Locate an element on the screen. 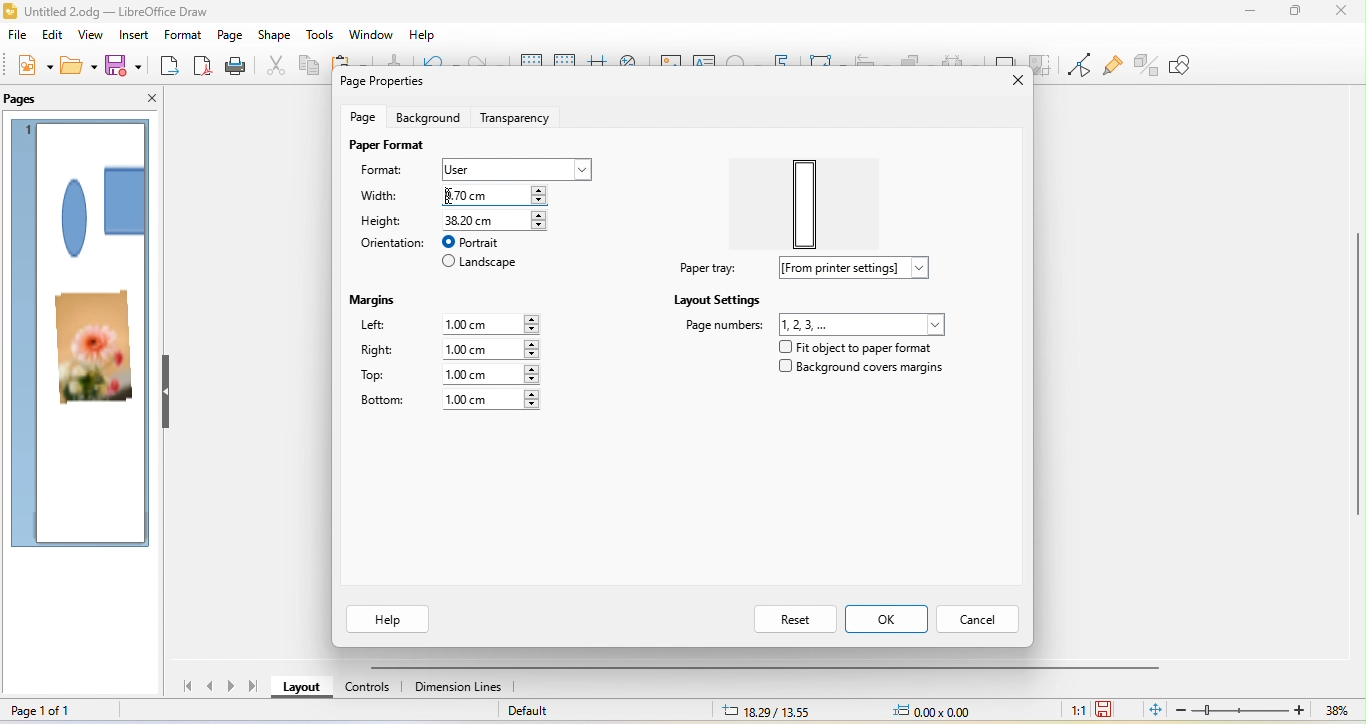 Image resolution: width=1366 pixels, height=724 pixels. 1.00 cm is located at coordinates (493, 373).